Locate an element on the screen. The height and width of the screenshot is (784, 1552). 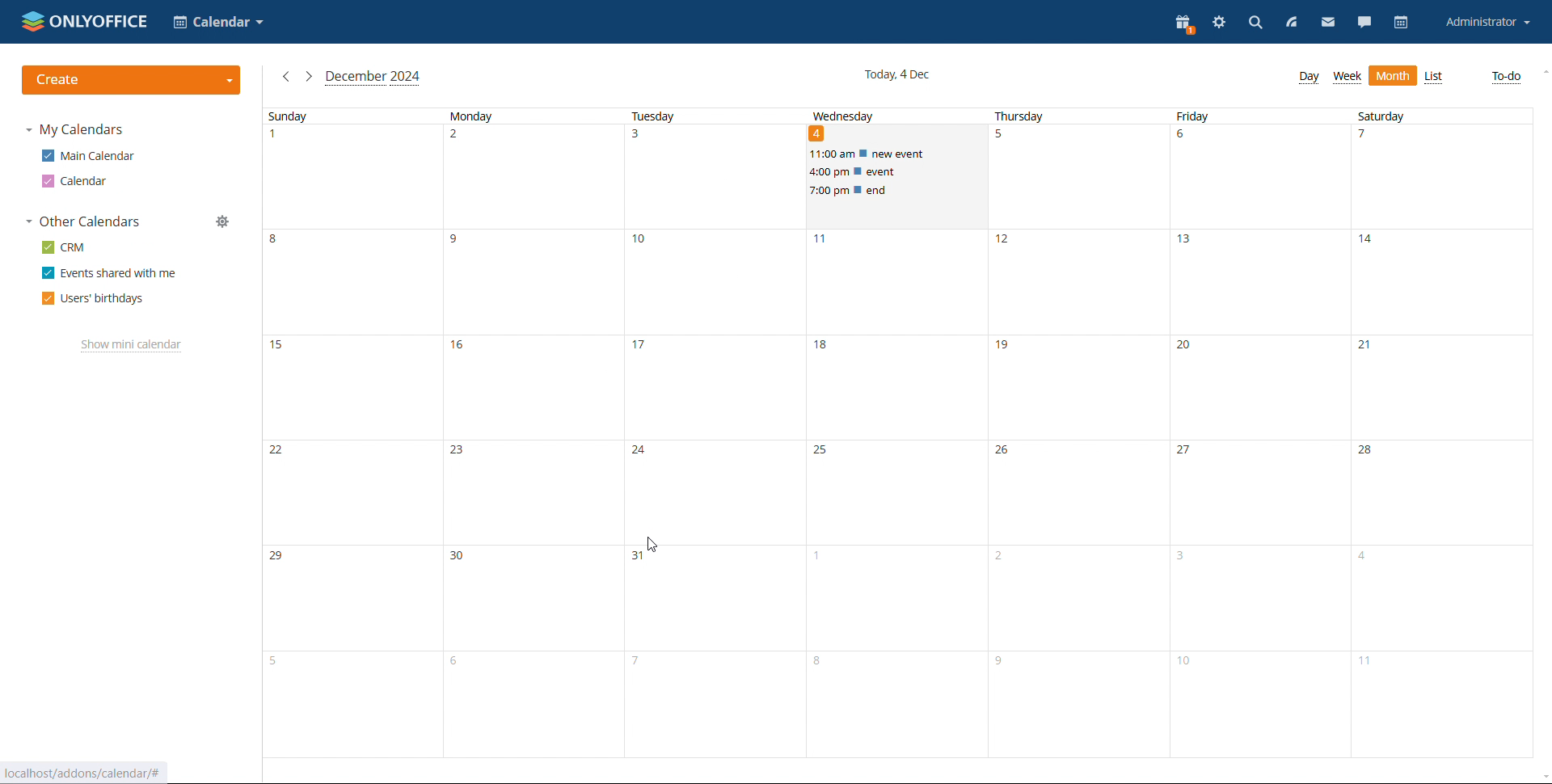
chat is located at coordinates (1365, 21).